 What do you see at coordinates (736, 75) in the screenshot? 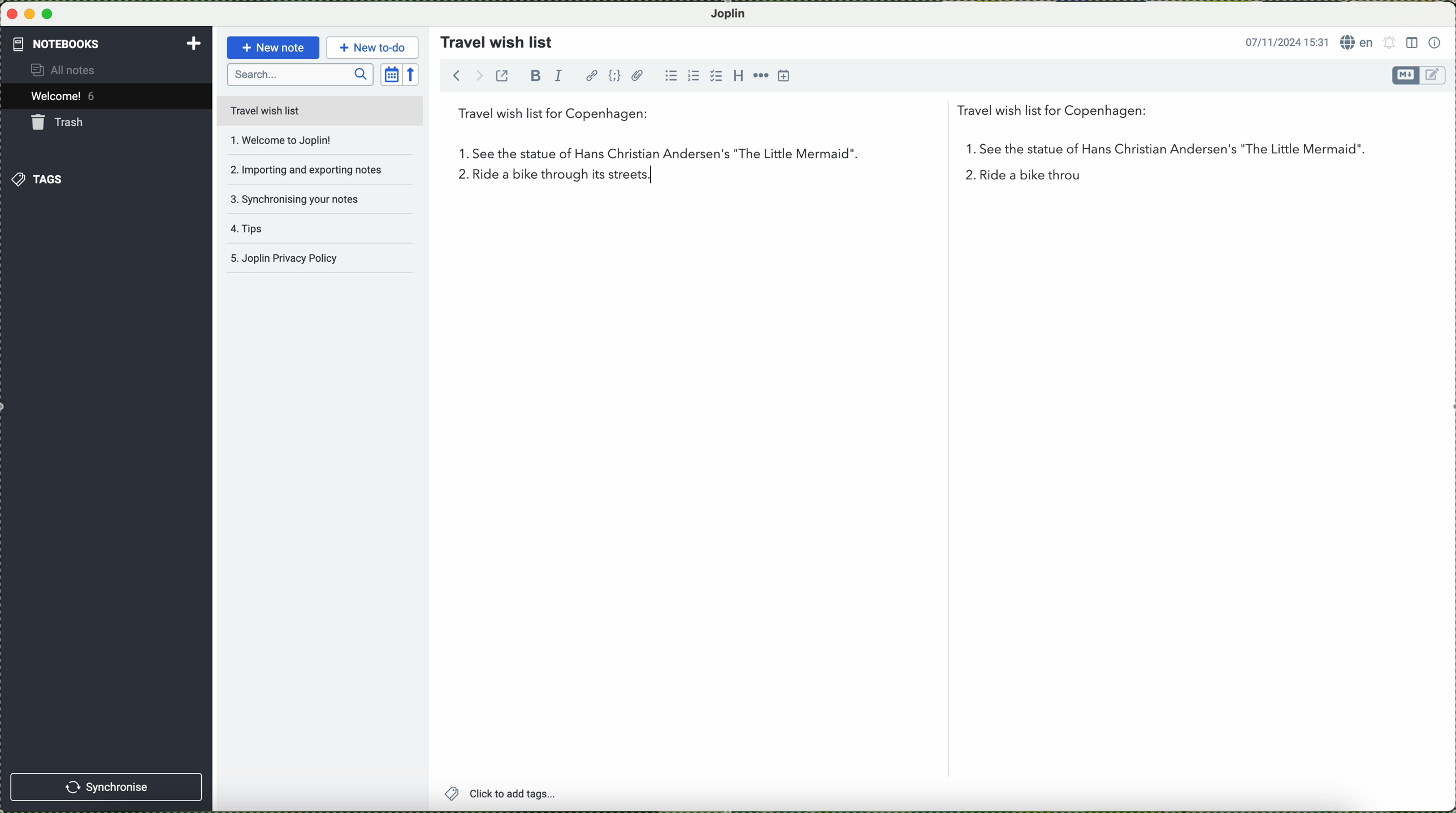
I see `heading` at bounding box center [736, 75].